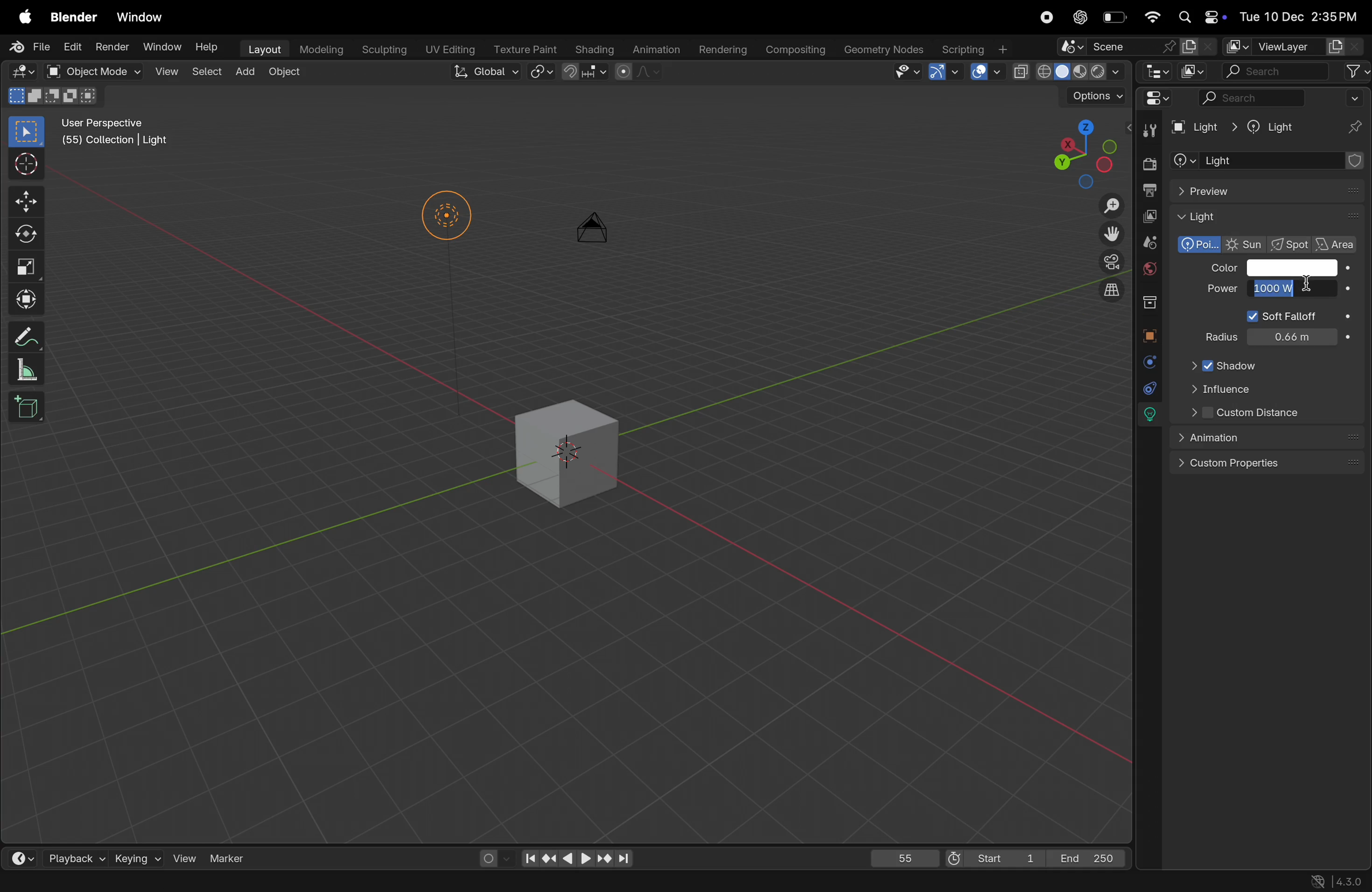 The image size is (1372, 892). What do you see at coordinates (1150, 270) in the screenshot?
I see `world` at bounding box center [1150, 270].